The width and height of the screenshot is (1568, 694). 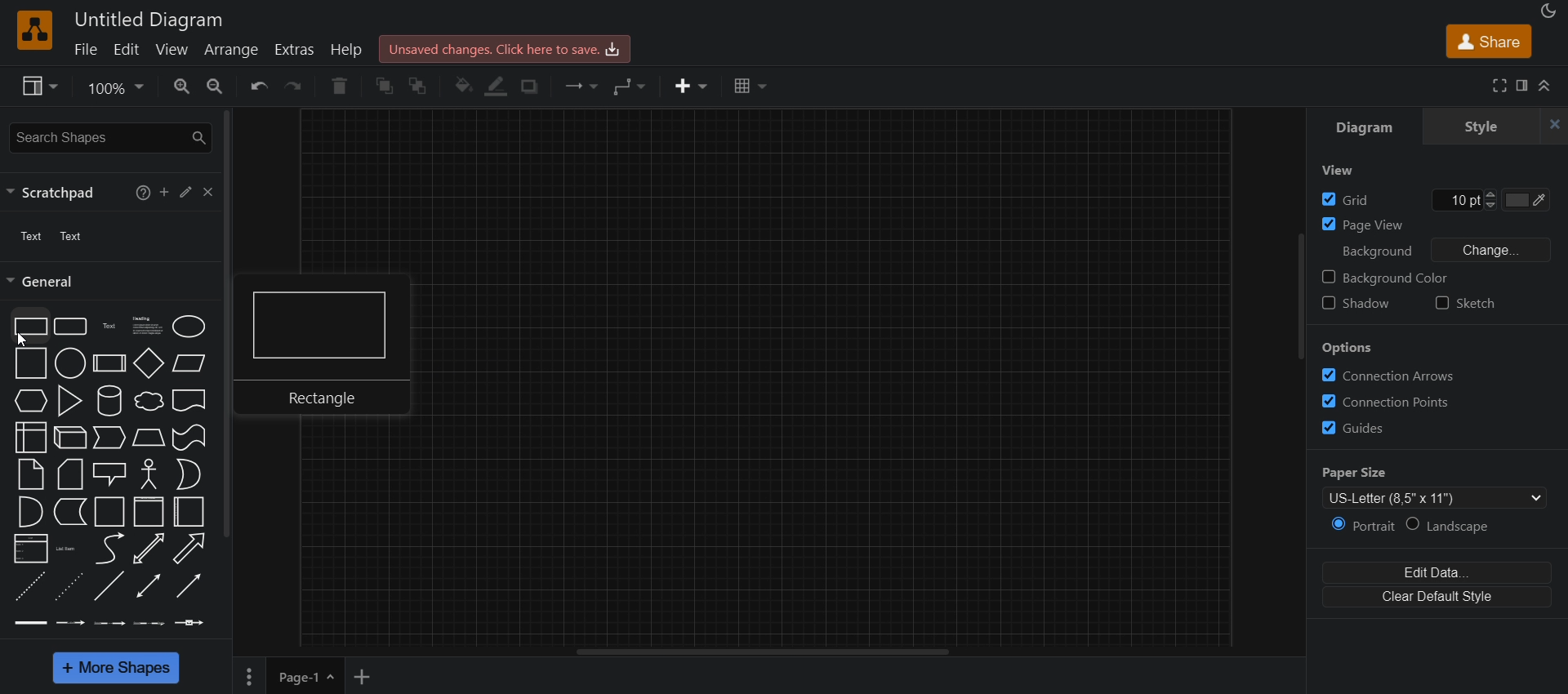 What do you see at coordinates (633, 87) in the screenshot?
I see `waypoints` at bounding box center [633, 87].